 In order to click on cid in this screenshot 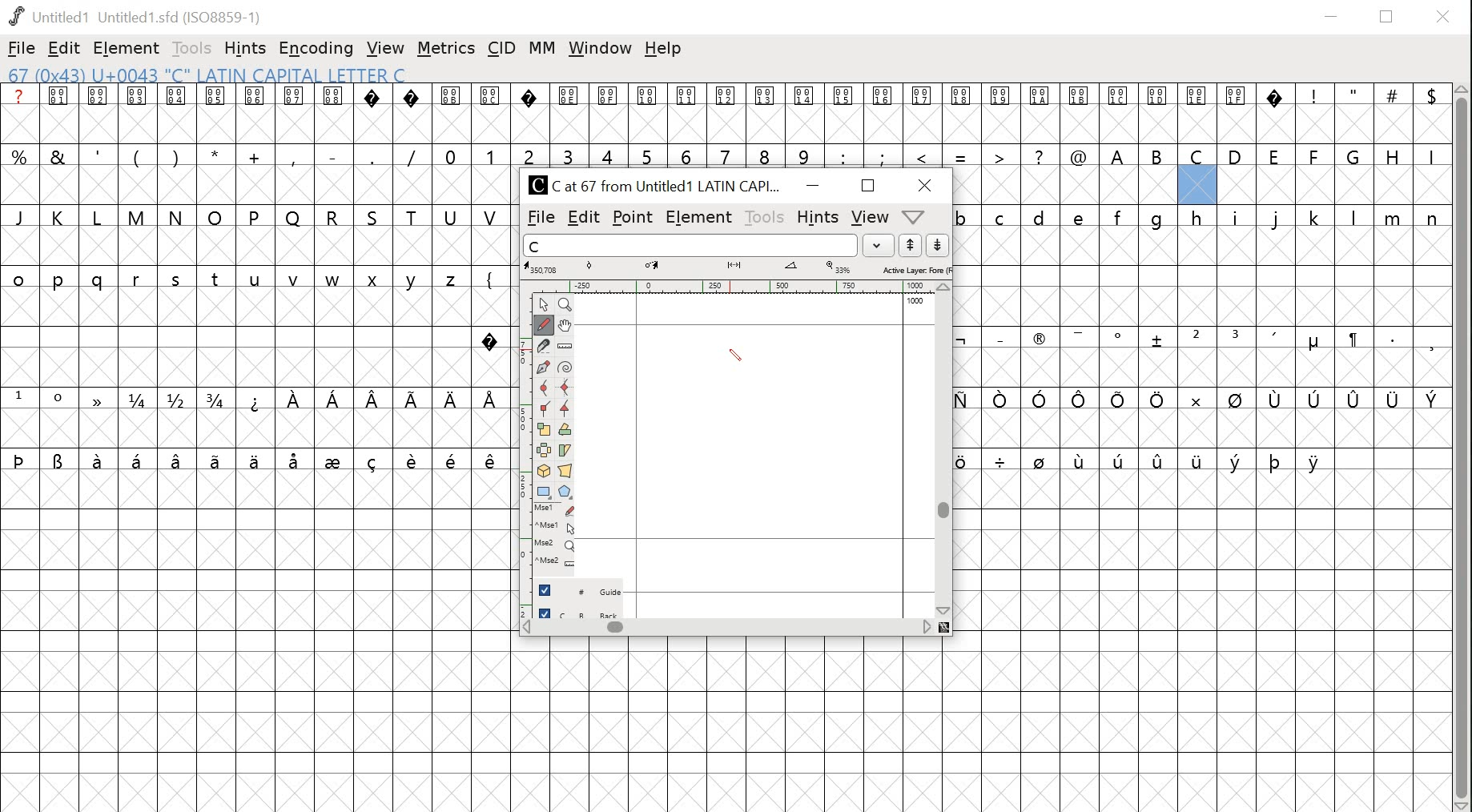, I will do `click(501, 46)`.